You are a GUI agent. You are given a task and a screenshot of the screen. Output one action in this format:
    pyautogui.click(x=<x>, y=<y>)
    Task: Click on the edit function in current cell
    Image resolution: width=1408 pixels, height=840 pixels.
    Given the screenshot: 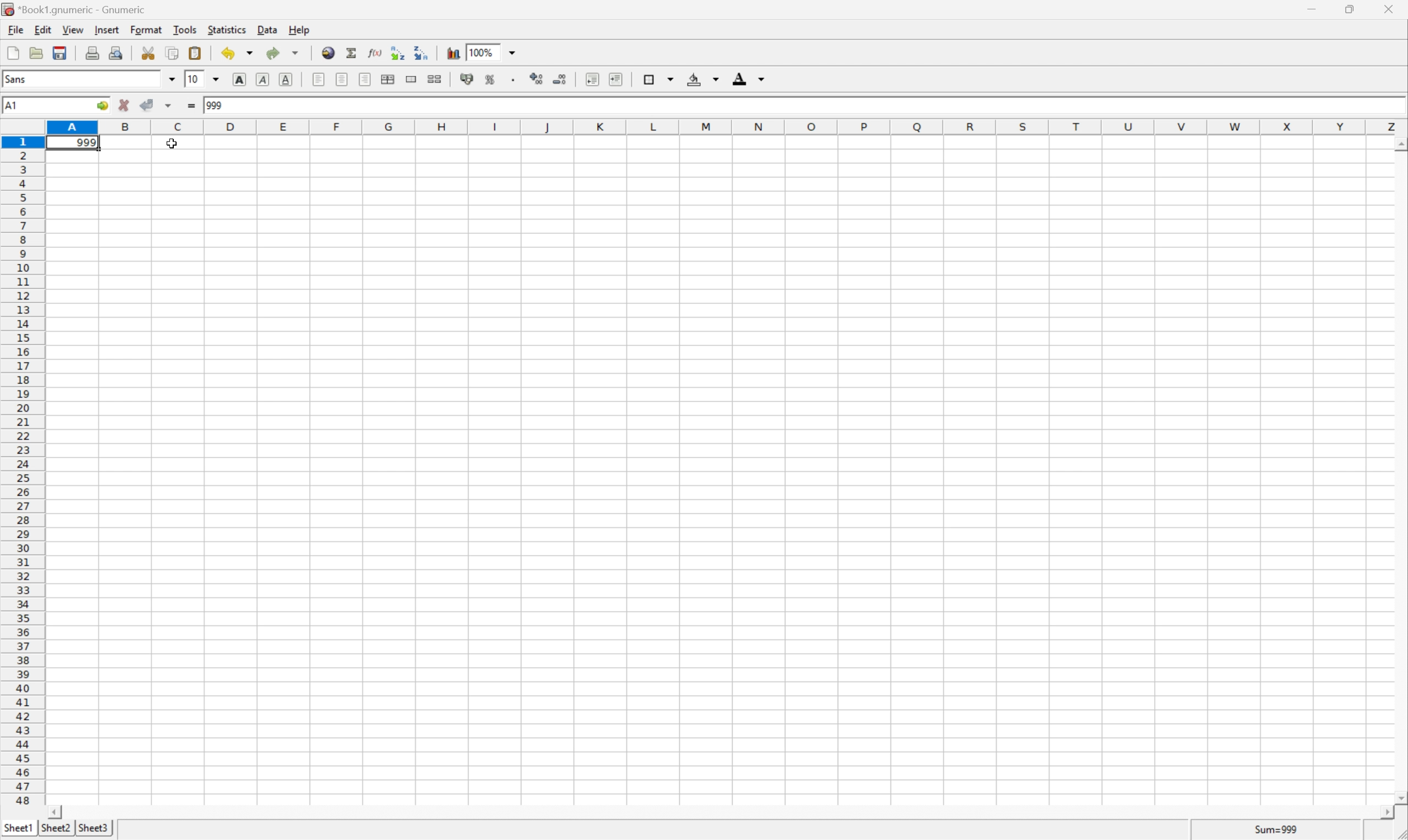 What is the action you would take?
    pyautogui.click(x=374, y=54)
    